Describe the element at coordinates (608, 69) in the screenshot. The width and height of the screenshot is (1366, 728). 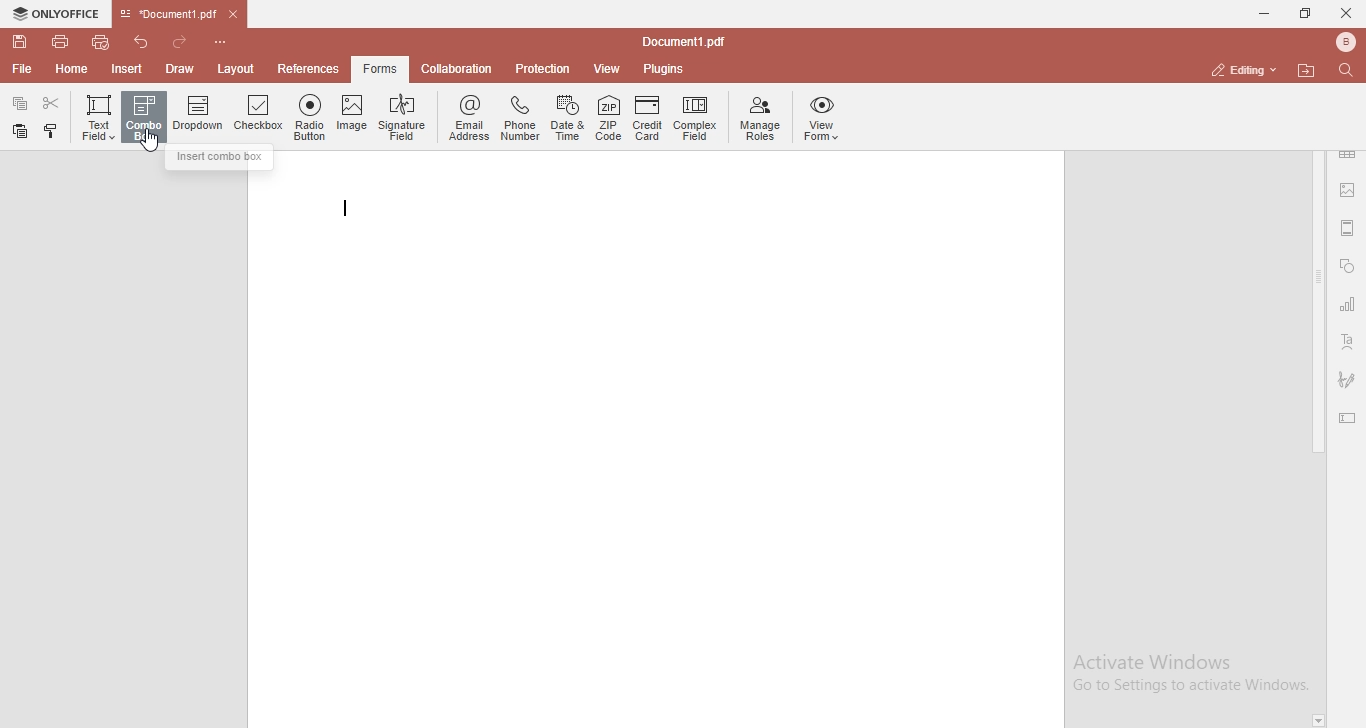
I see `view` at that location.